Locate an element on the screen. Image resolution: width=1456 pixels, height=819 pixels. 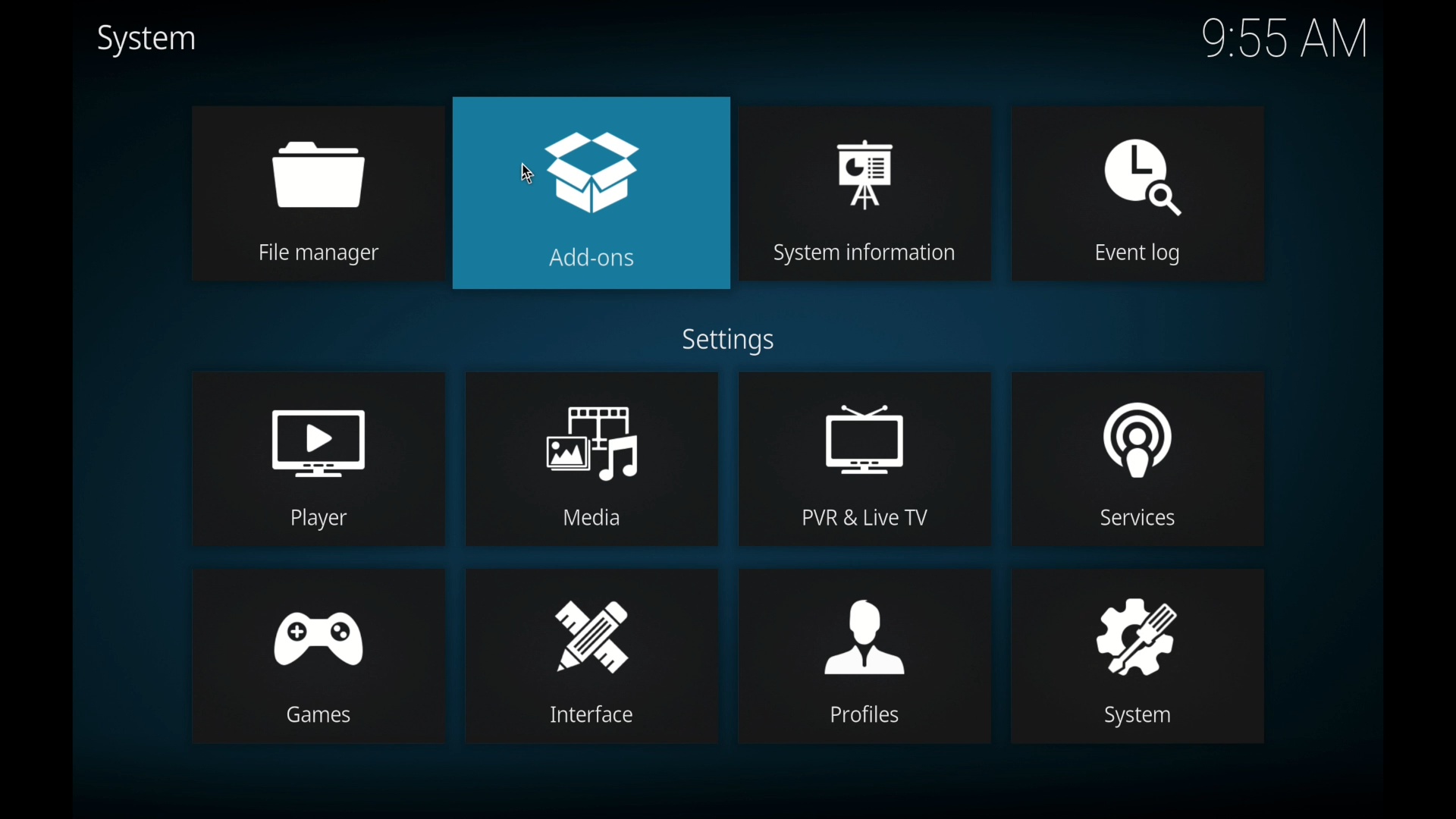
player is located at coordinates (317, 459).